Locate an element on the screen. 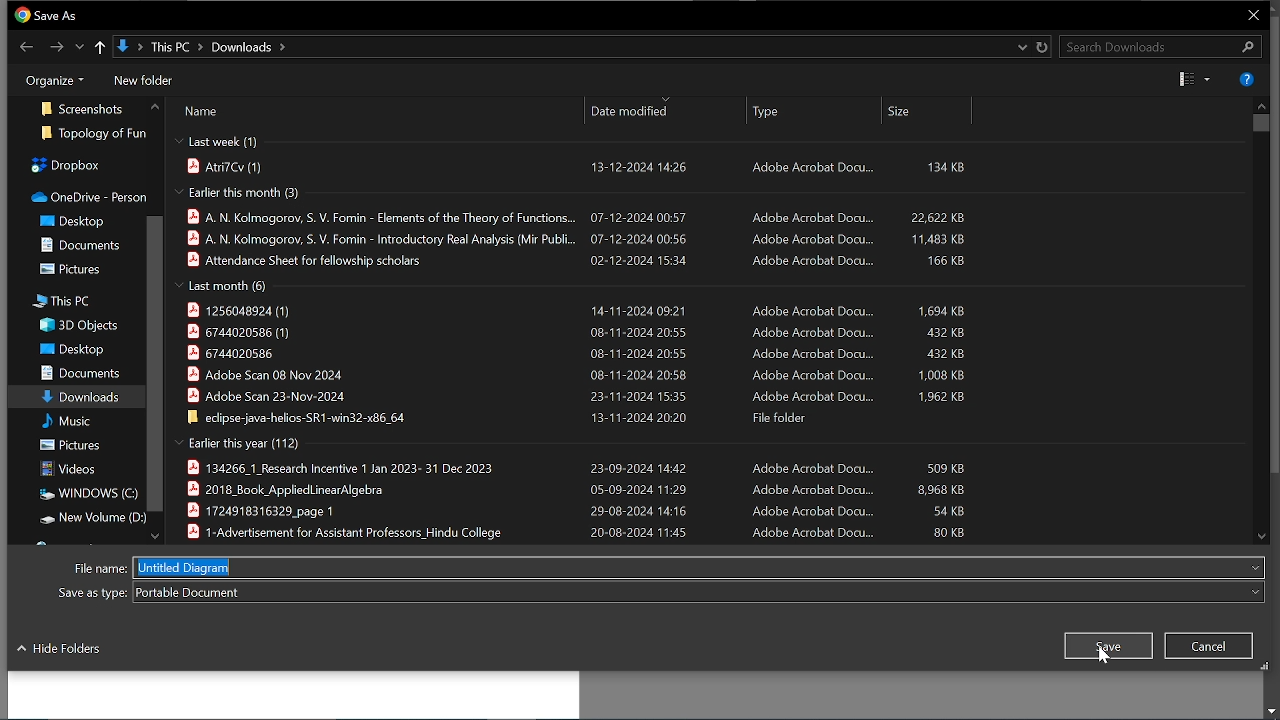  S09 KB is located at coordinates (947, 469).